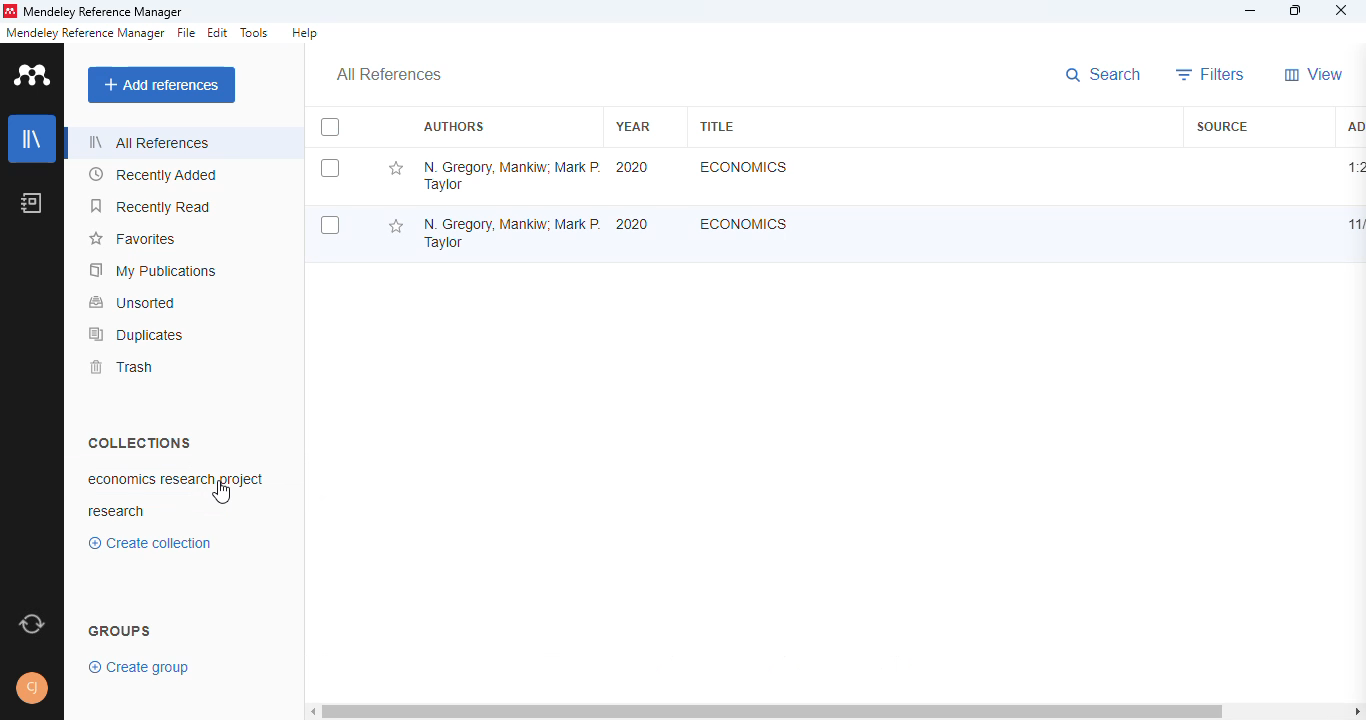 This screenshot has height=720, width=1366. What do you see at coordinates (741, 167) in the screenshot?
I see `Economics` at bounding box center [741, 167].